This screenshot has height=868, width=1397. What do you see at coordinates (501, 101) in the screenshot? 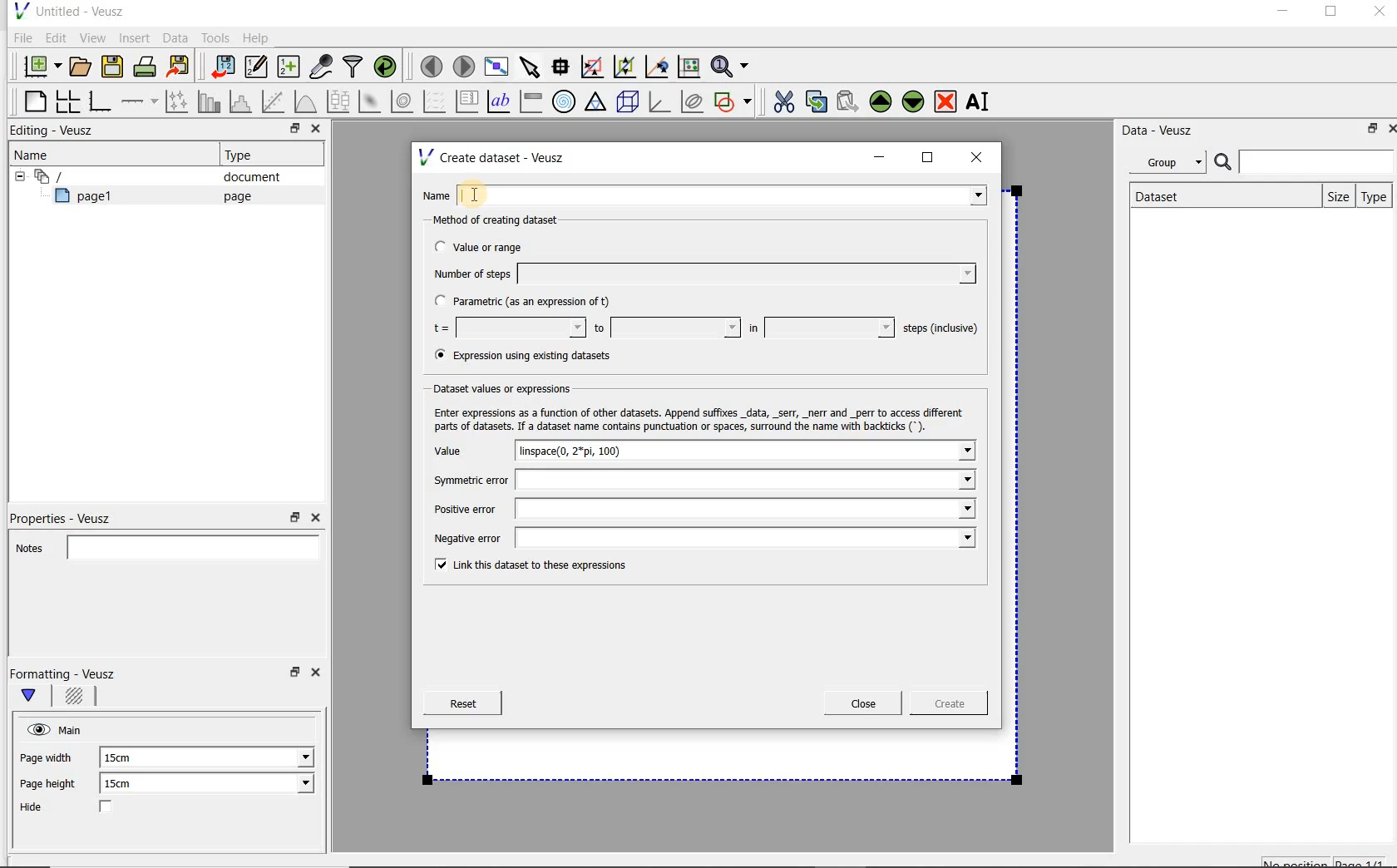
I see `text label` at bounding box center [501, 101].